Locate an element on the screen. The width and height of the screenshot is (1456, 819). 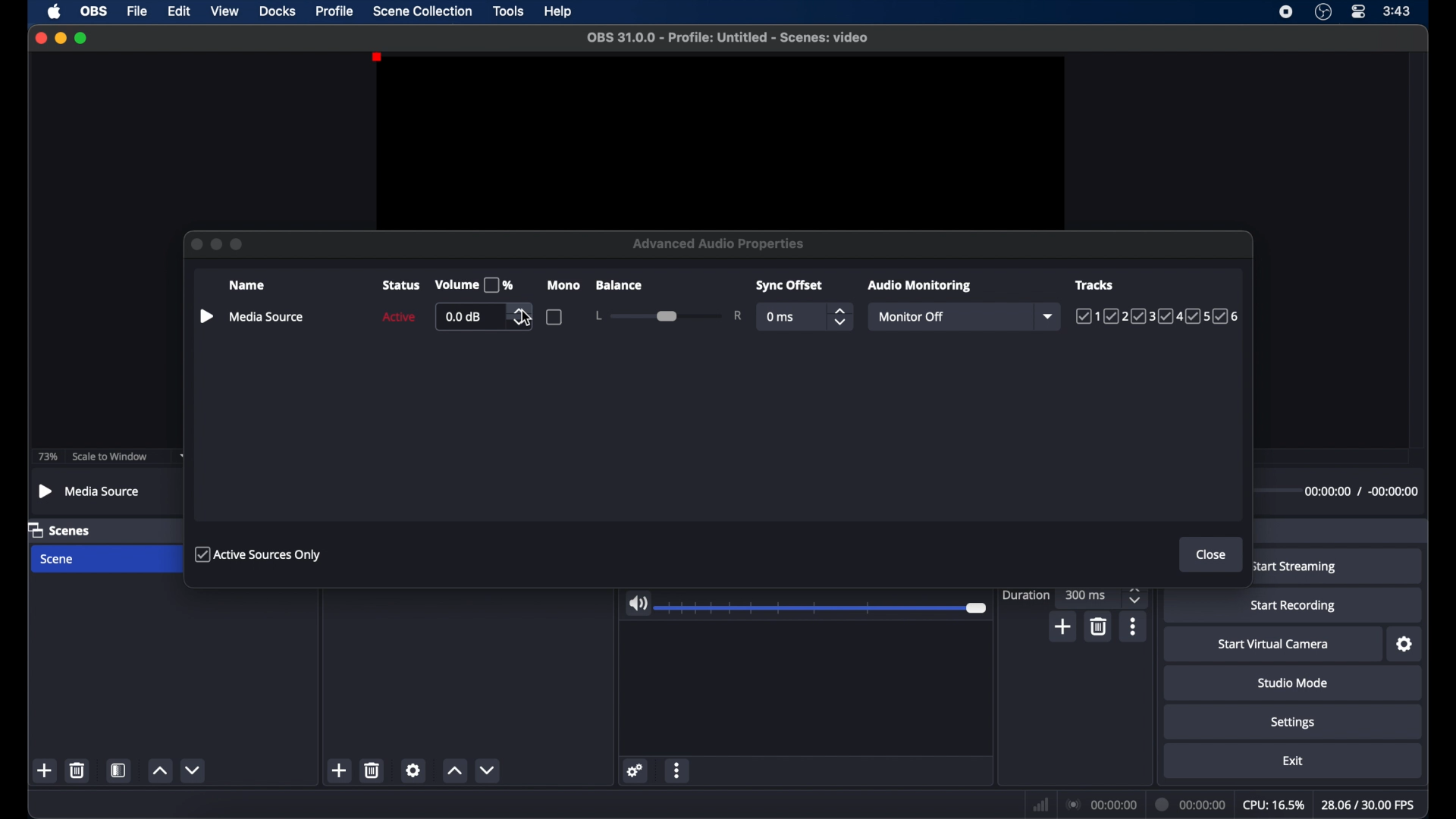
OBS 31.0.0 - Profile: Untitled - Scenes: video is located at coordinates (727, 37).